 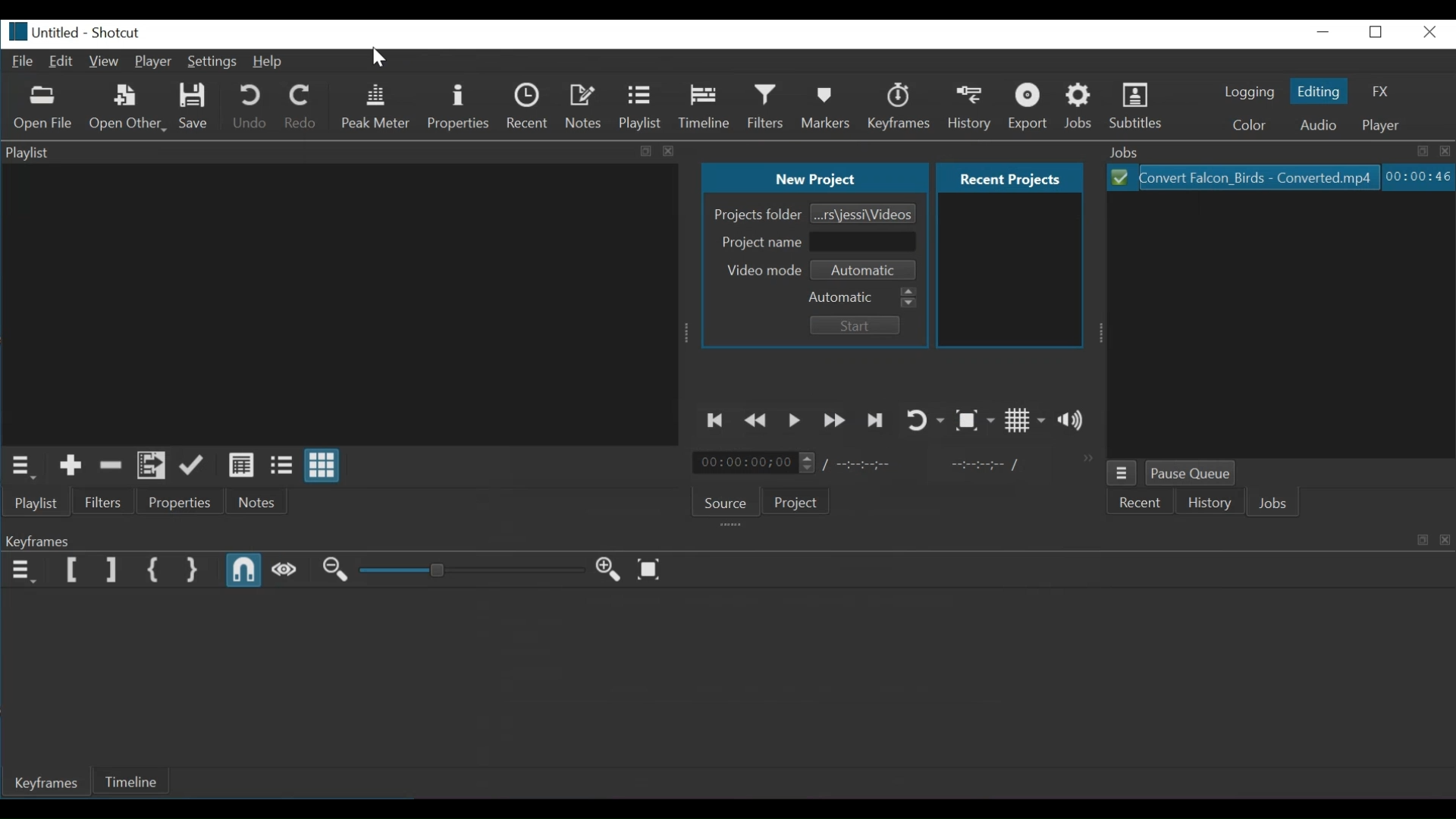 What do you see at coordinates (767, 107) in the screenshot?
I see `Filters` at bounding box center [767, 107].